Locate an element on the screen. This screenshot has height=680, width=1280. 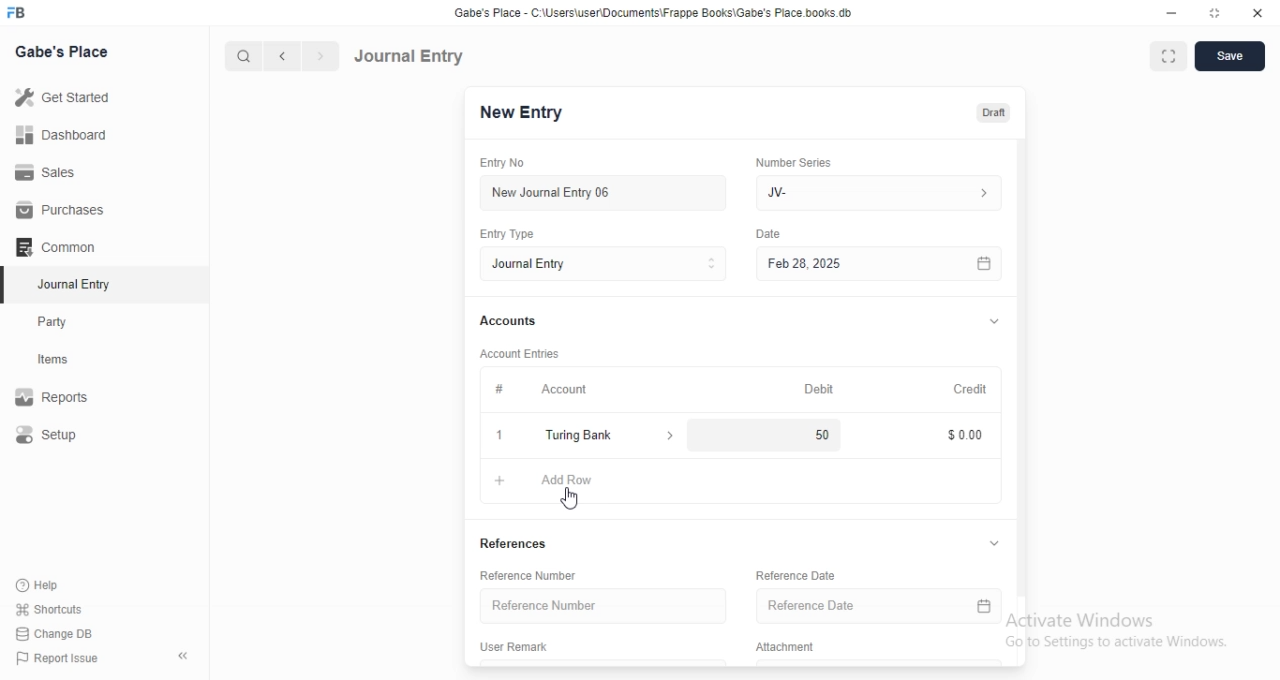
Journal Entry is located at coordinates (65, 286).